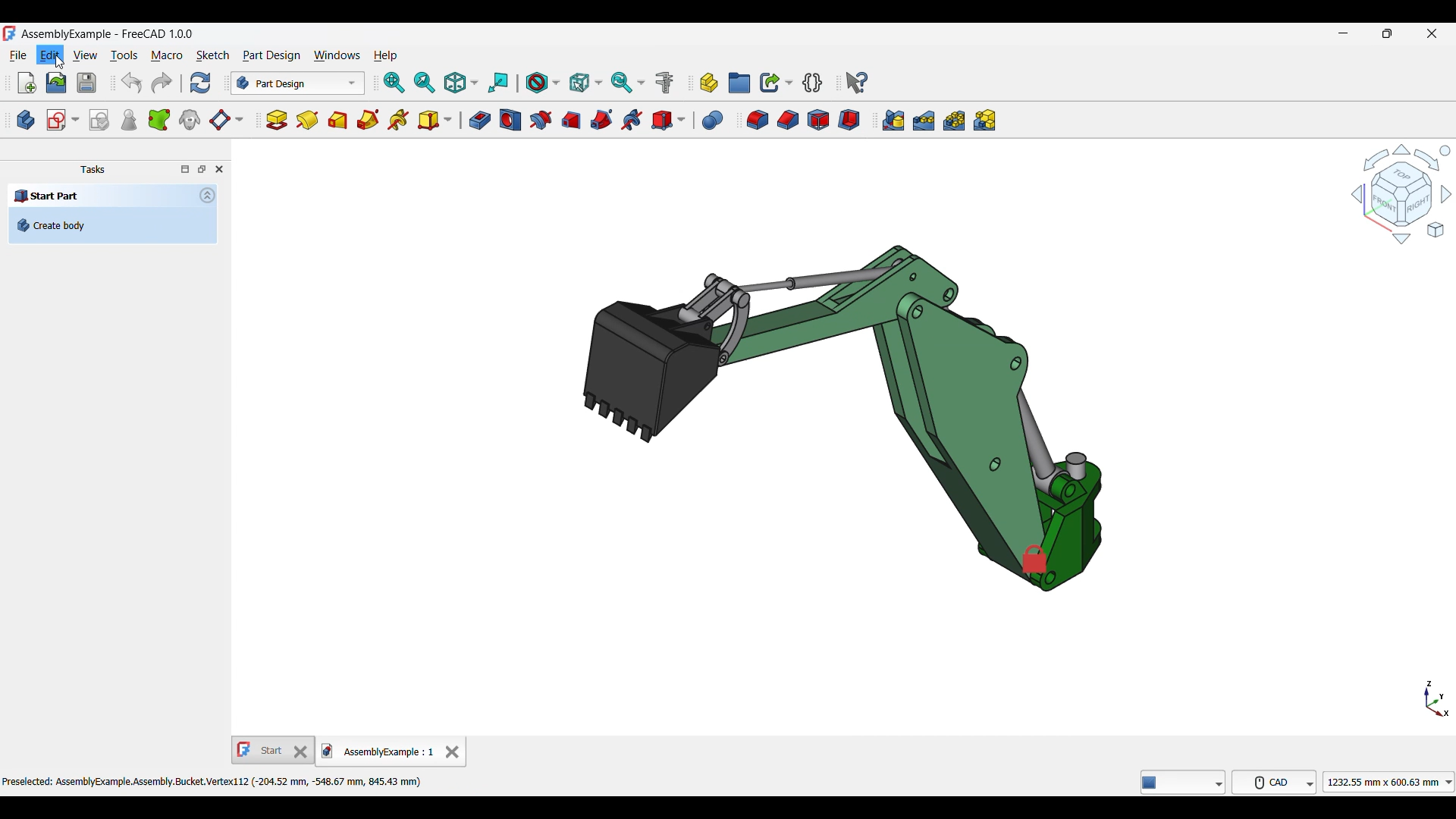 The height and width of the screenshot is (819, 1456). Describe the element at coordinates (510, 120) in the screenshot. I see `Hole` at that location.